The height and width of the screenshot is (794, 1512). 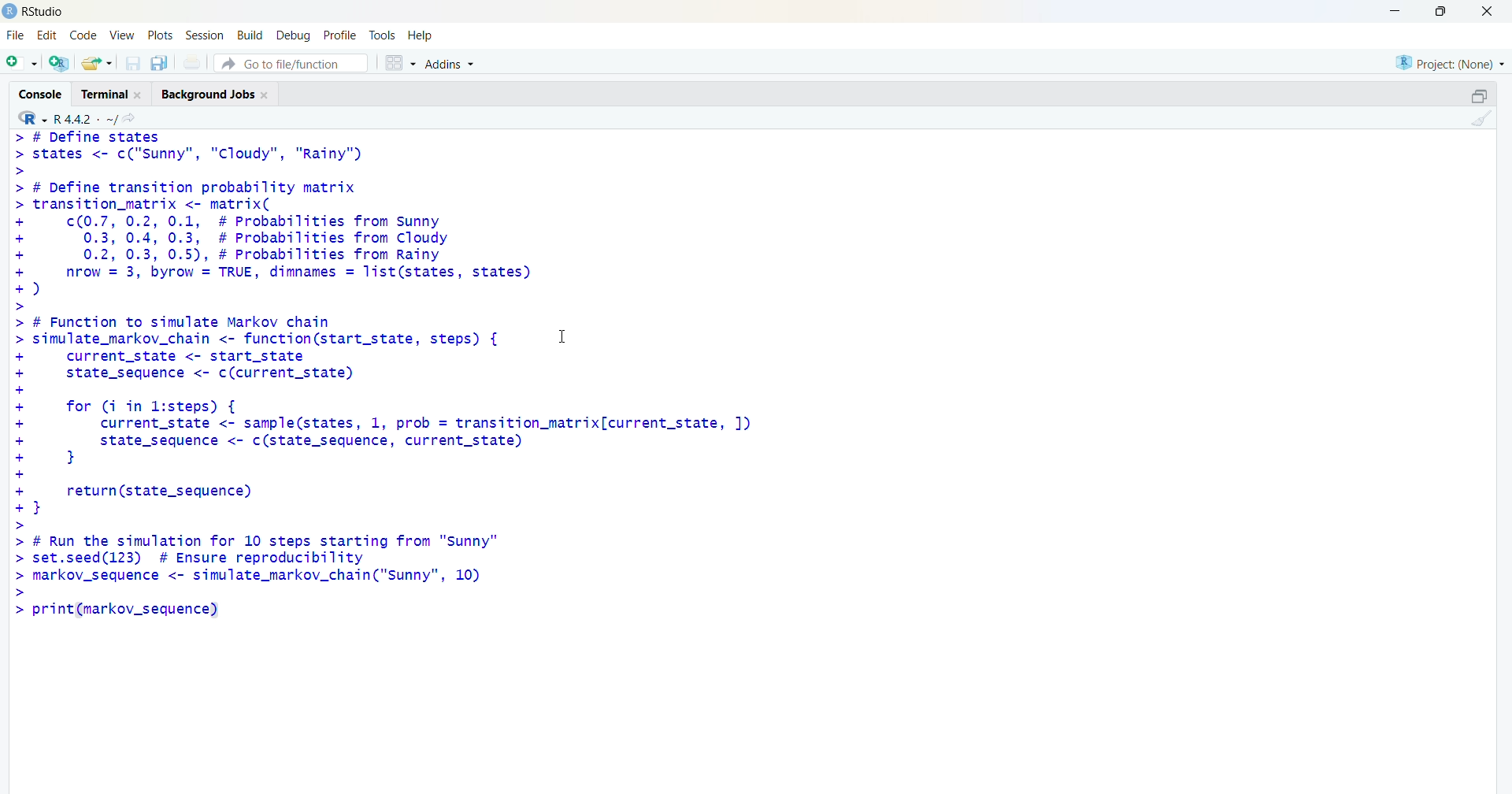 I want to click on background jobs, so click(x=220, y=95).